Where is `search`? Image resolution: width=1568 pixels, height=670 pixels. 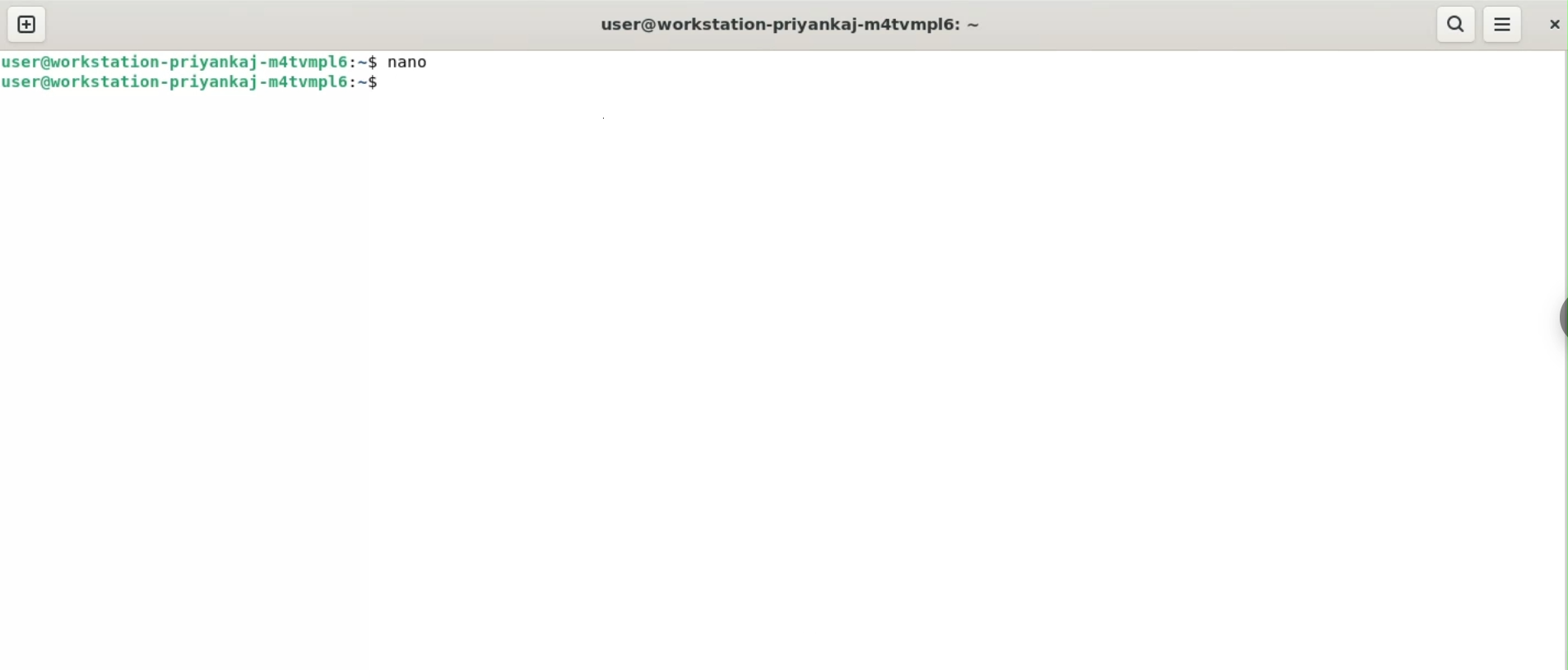 search is located at coordinates (1456, 24).